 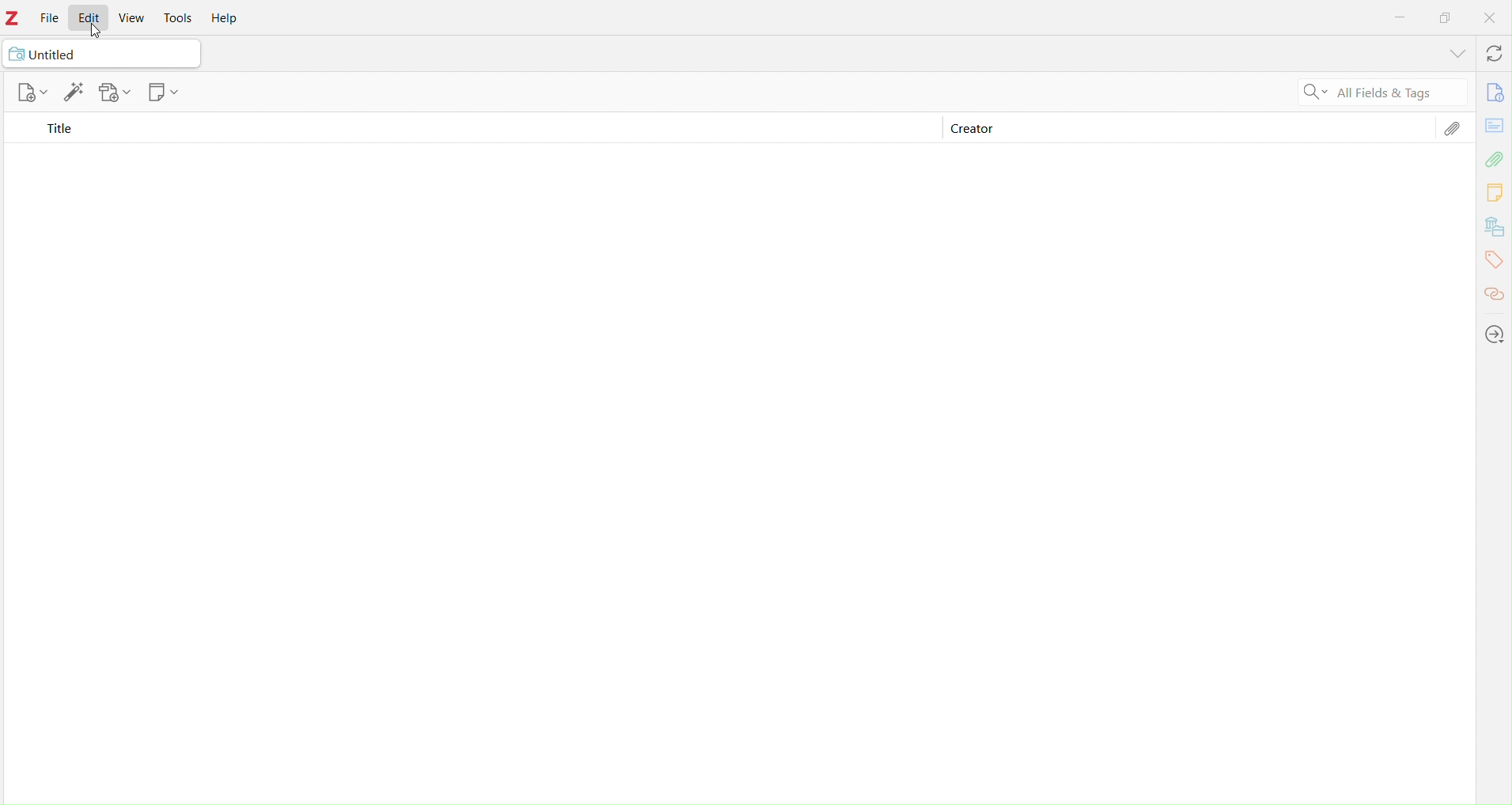 I want to click on Attachment, so click(x=1452, y=132).